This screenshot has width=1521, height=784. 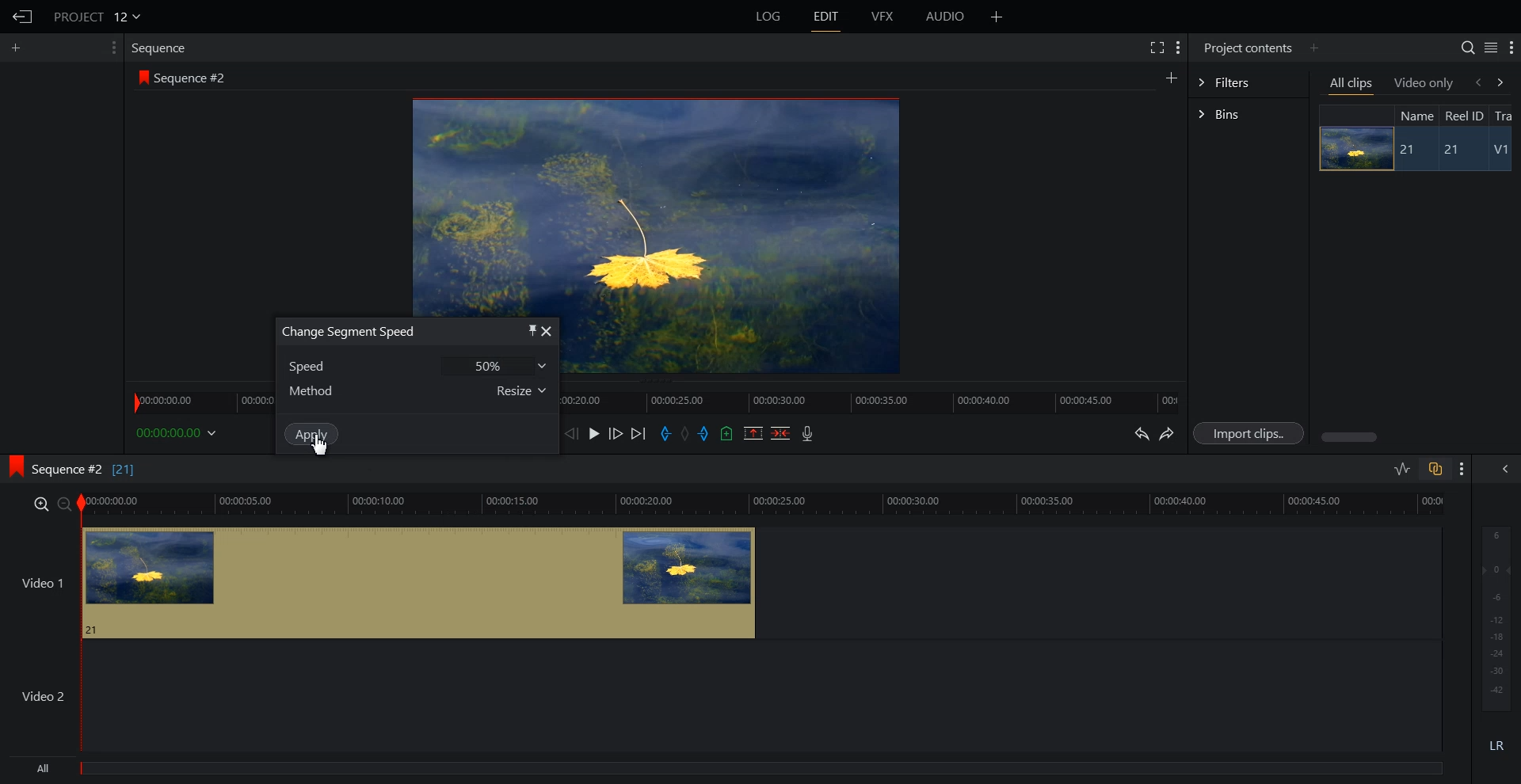 What do you see at coordinates (85, 470) in the screenshot?
I see `Sequence #2 [21]` at bounding box center [85, 470].